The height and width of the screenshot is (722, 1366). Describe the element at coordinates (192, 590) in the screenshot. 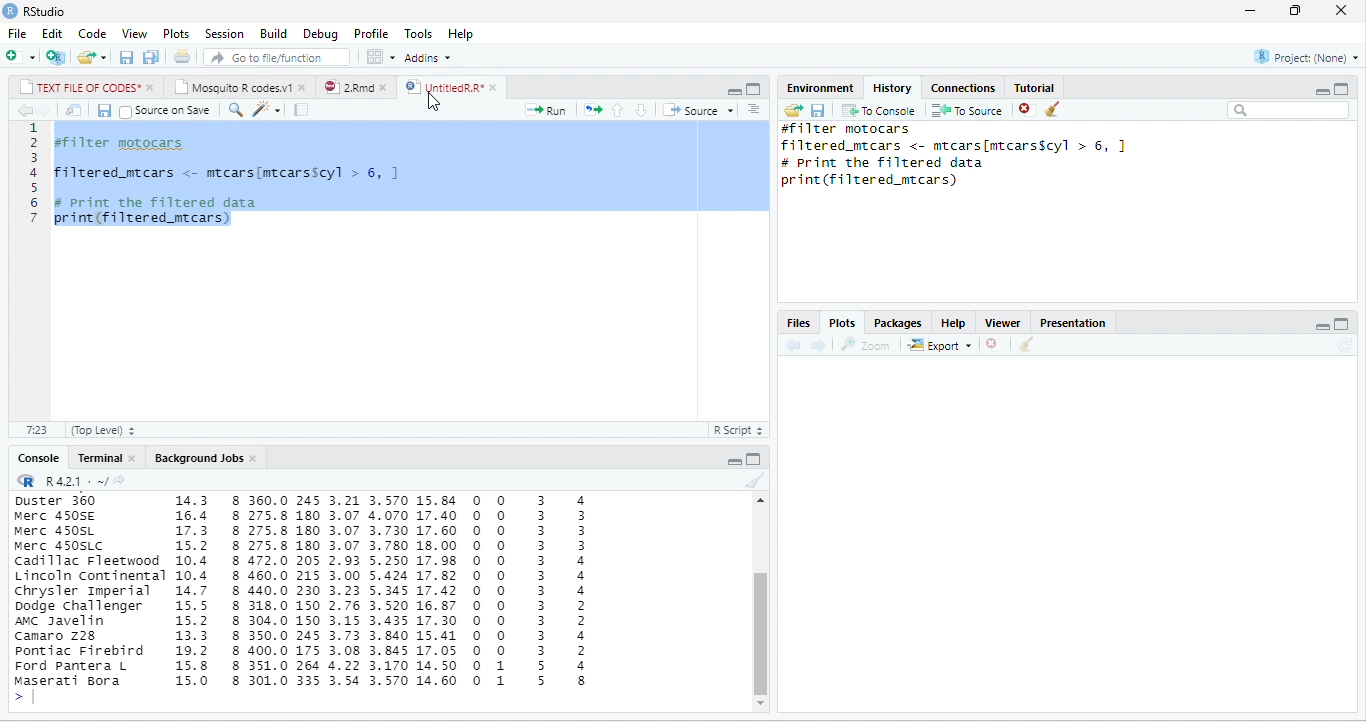

I see `14.3  16.4  17.3 15.2. 10.4  10.4  14.7  15.5. 15.2. 13.3. 19.2. 15.8. 15.0` at that location.